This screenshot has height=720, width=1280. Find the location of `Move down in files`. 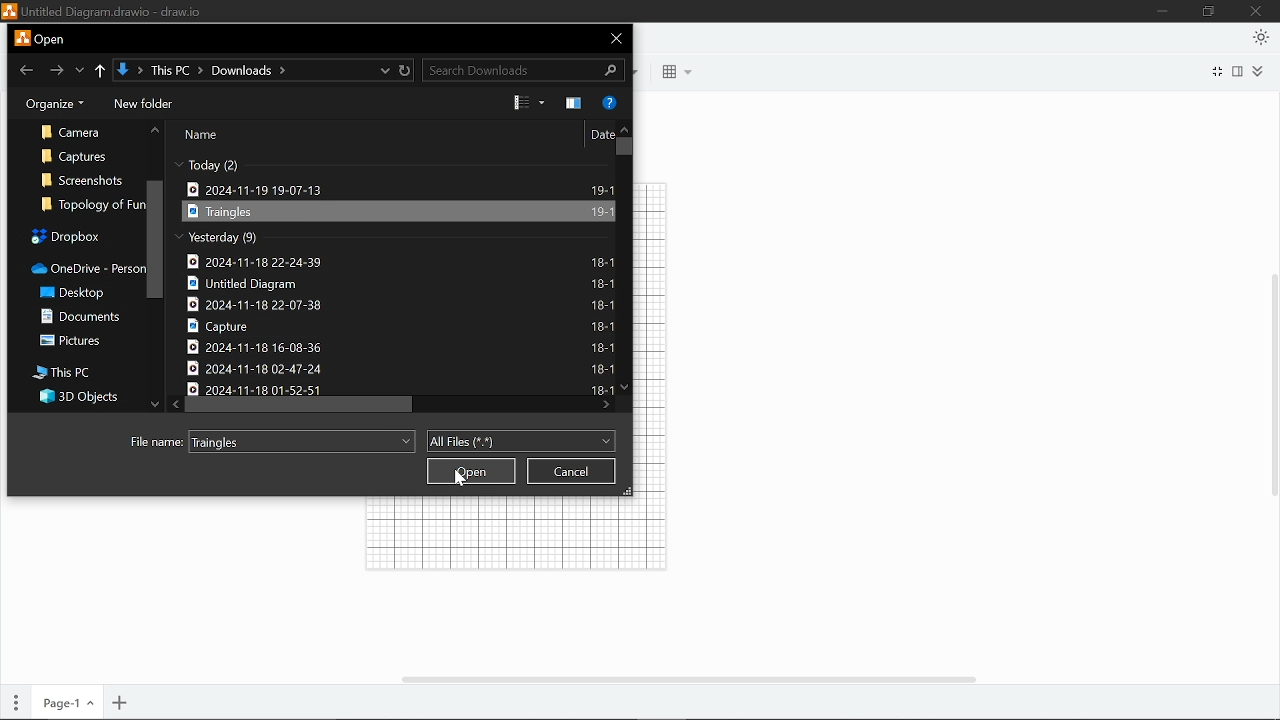

Move down in files is located at coordinates (624, 386).